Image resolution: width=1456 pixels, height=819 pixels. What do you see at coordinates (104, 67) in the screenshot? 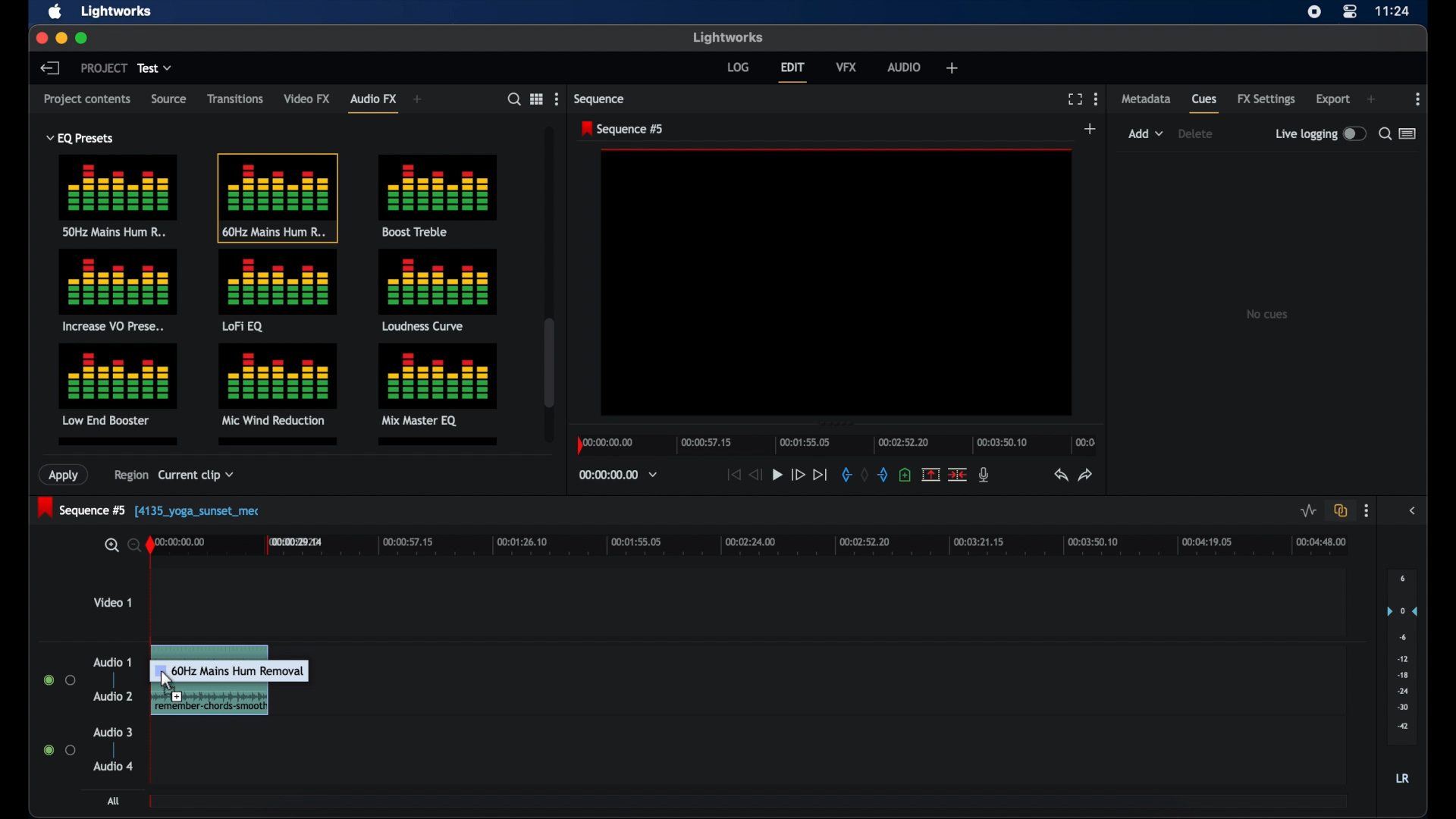
I see `project` at bounding box center [104, 67].